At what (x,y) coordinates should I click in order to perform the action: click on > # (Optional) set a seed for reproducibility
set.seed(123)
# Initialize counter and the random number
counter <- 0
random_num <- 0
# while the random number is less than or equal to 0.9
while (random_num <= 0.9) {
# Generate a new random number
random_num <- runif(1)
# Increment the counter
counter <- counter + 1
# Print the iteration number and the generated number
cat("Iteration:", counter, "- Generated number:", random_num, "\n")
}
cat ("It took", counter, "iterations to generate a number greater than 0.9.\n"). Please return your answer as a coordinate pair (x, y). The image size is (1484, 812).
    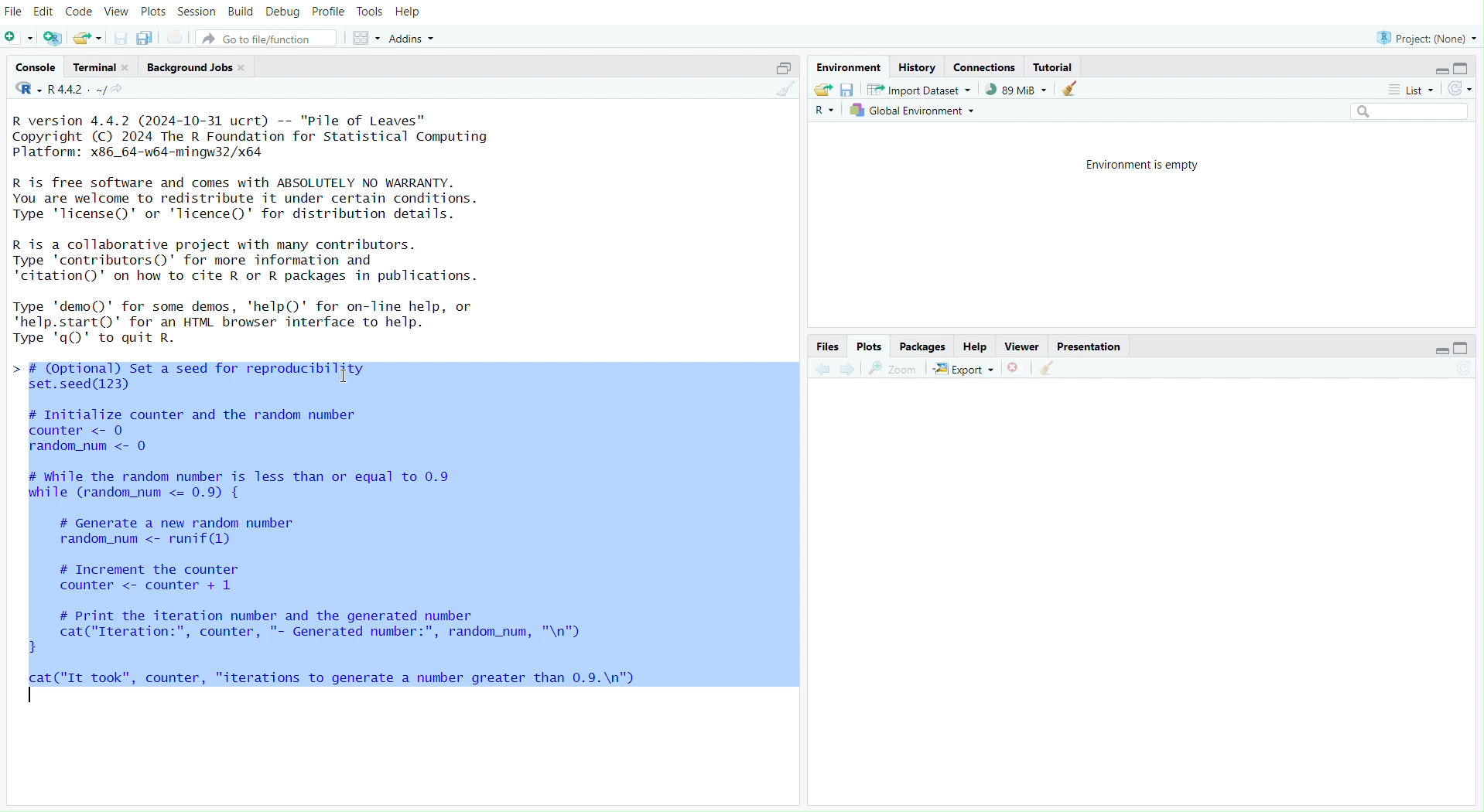
    Looking at the image, I should click on (405, 526).